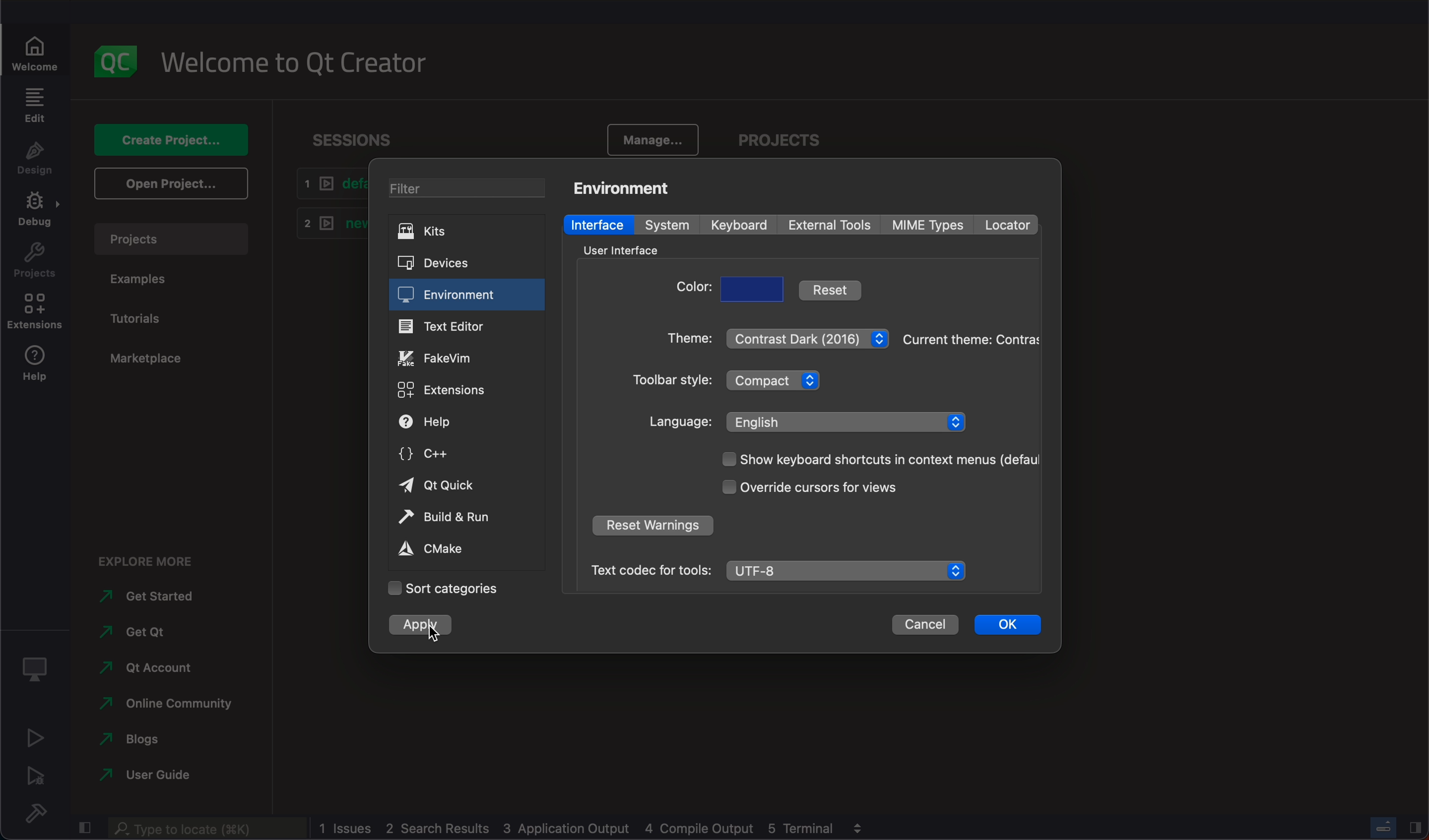 Image resolution: width=1429 pixels, height=840 pixels. I want to click on logo, so click(113, 59).